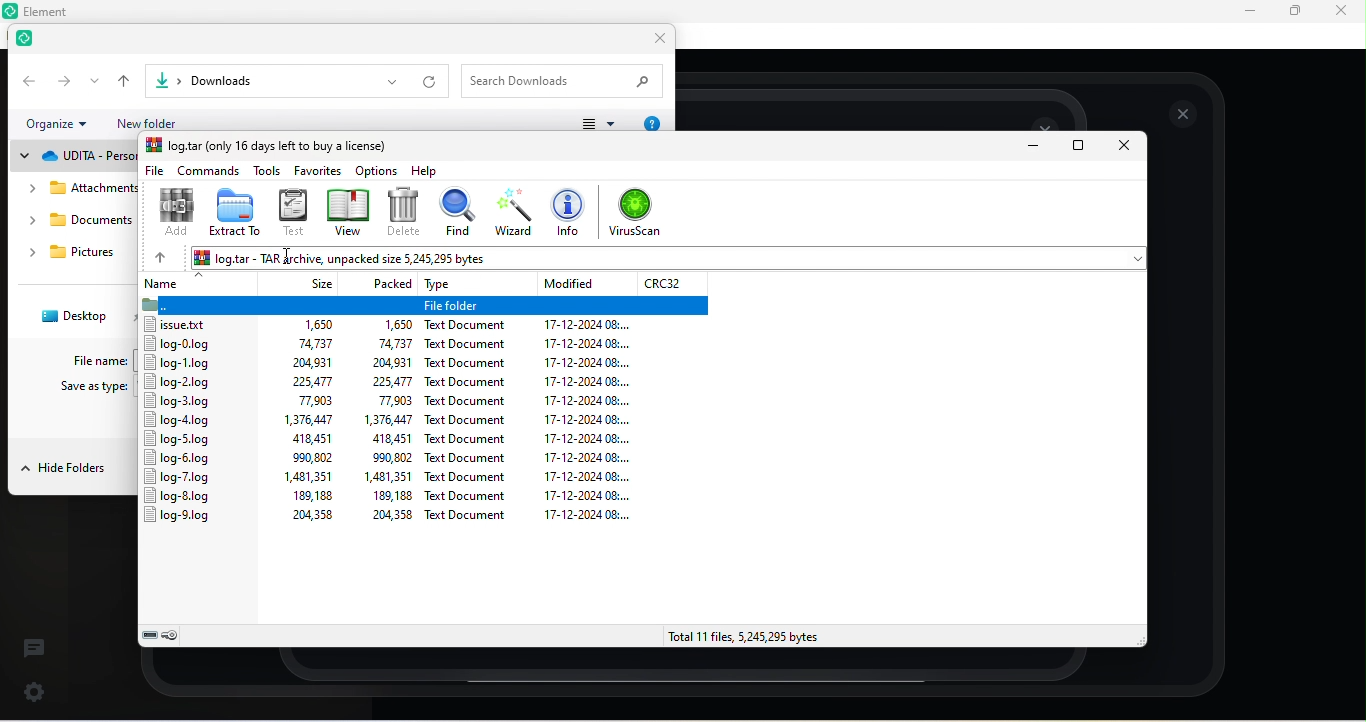 This screenshot has height=722, width=1366. I want to click on pictures, so click(81, 255).